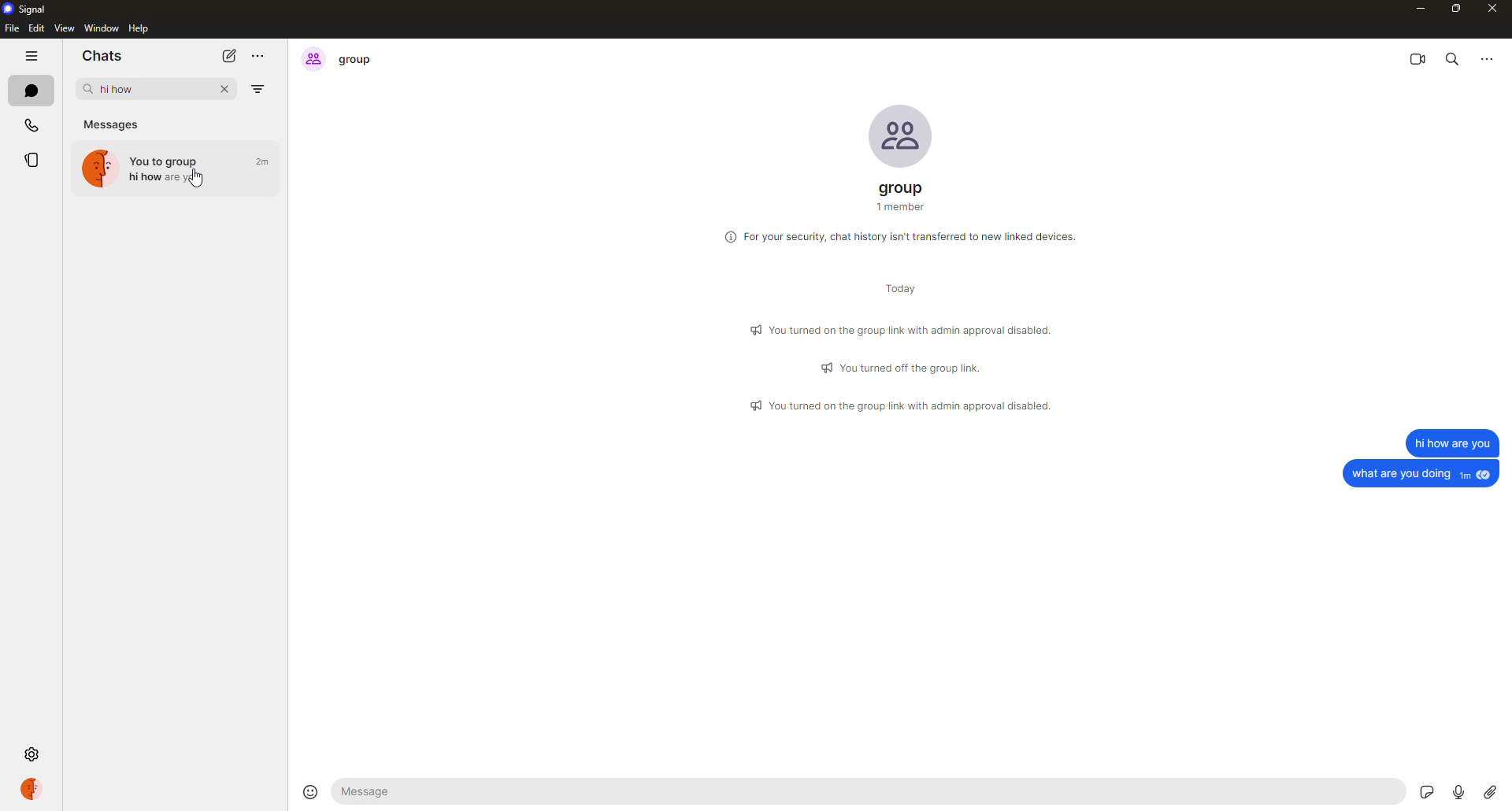  I want to click on close, so click(1495, 10).